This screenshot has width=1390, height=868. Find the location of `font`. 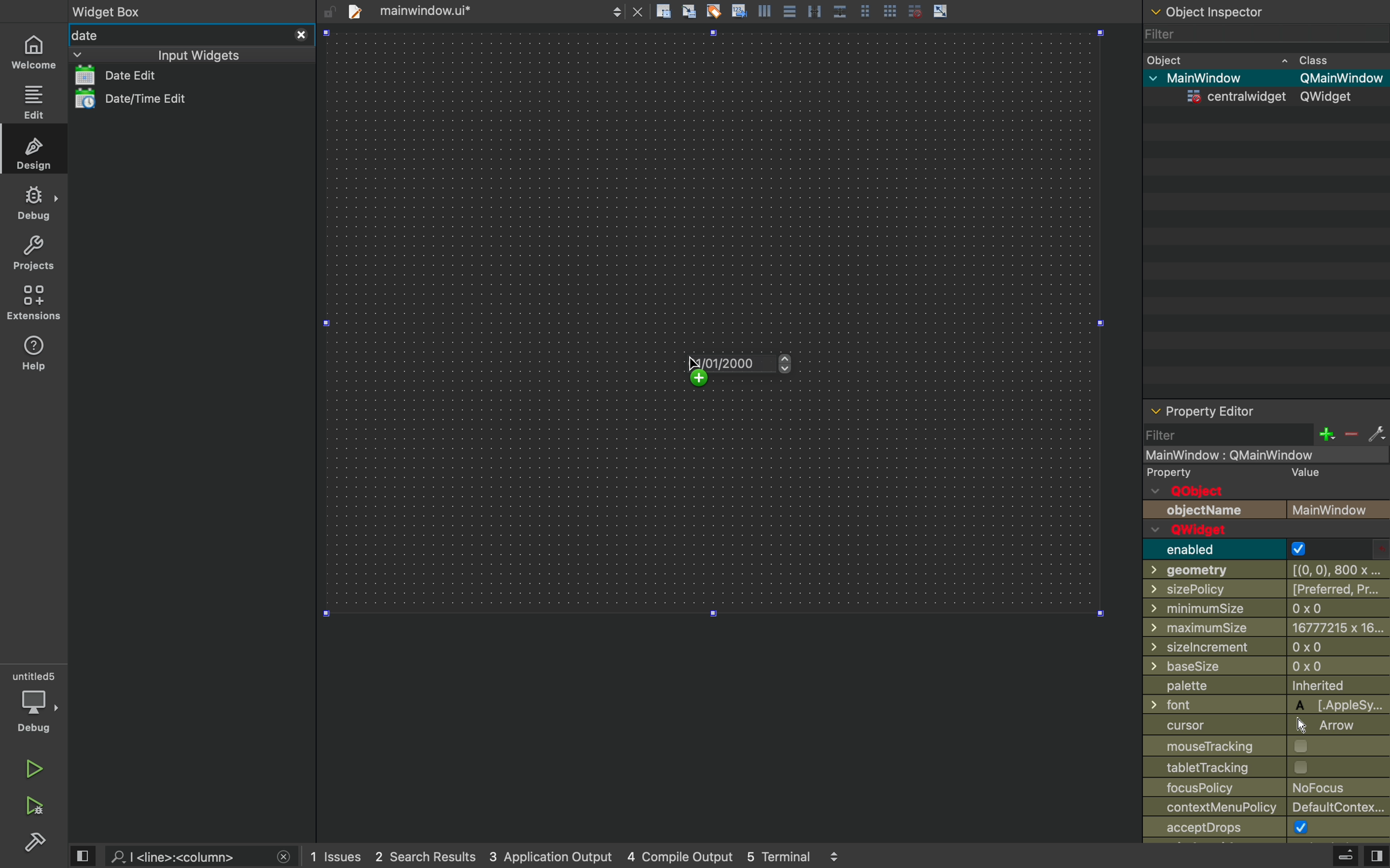

font is located at coordinates (1269, 705).